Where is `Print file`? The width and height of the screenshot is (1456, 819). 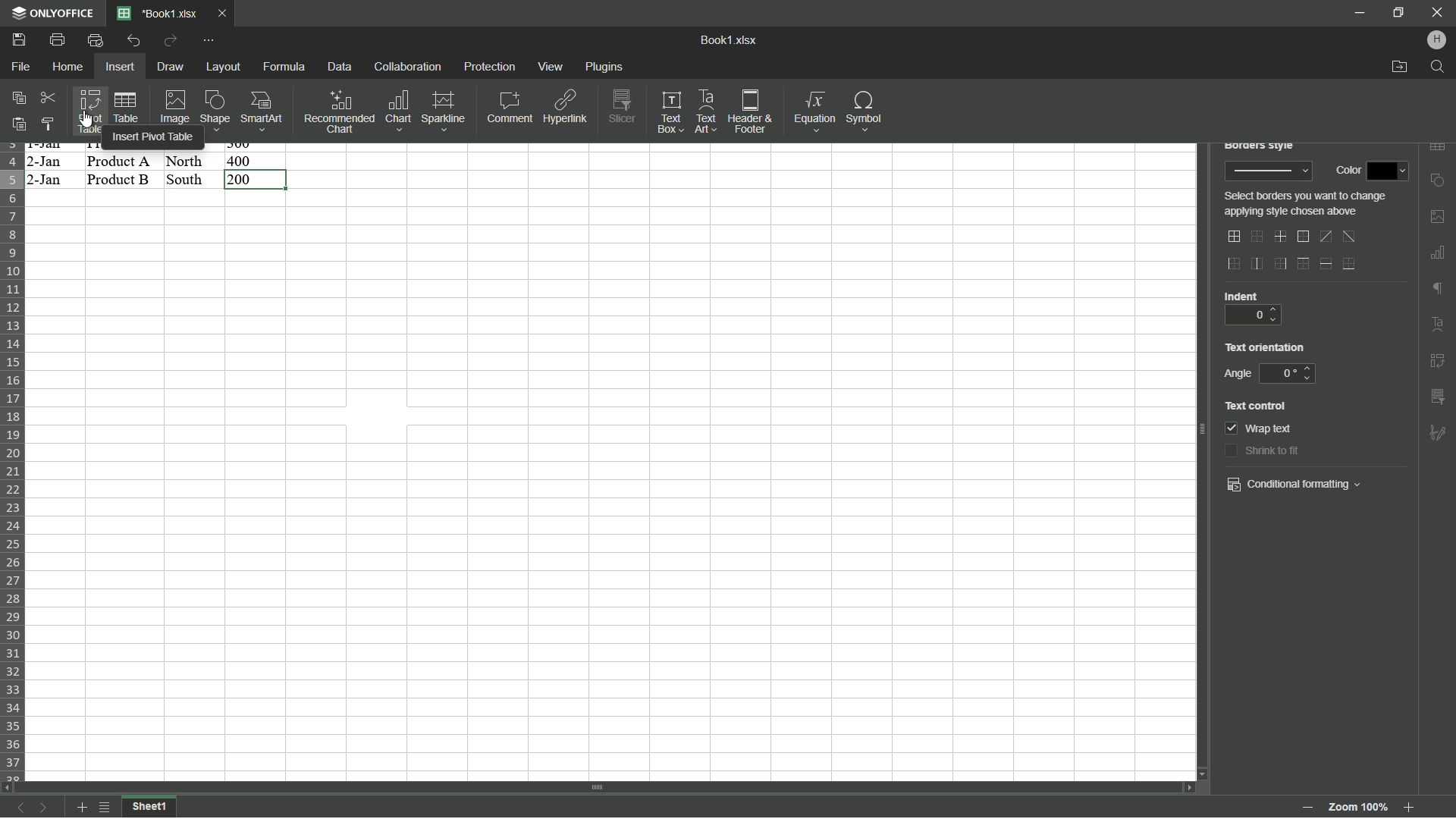
Print file is located at coordinates (57, 42).